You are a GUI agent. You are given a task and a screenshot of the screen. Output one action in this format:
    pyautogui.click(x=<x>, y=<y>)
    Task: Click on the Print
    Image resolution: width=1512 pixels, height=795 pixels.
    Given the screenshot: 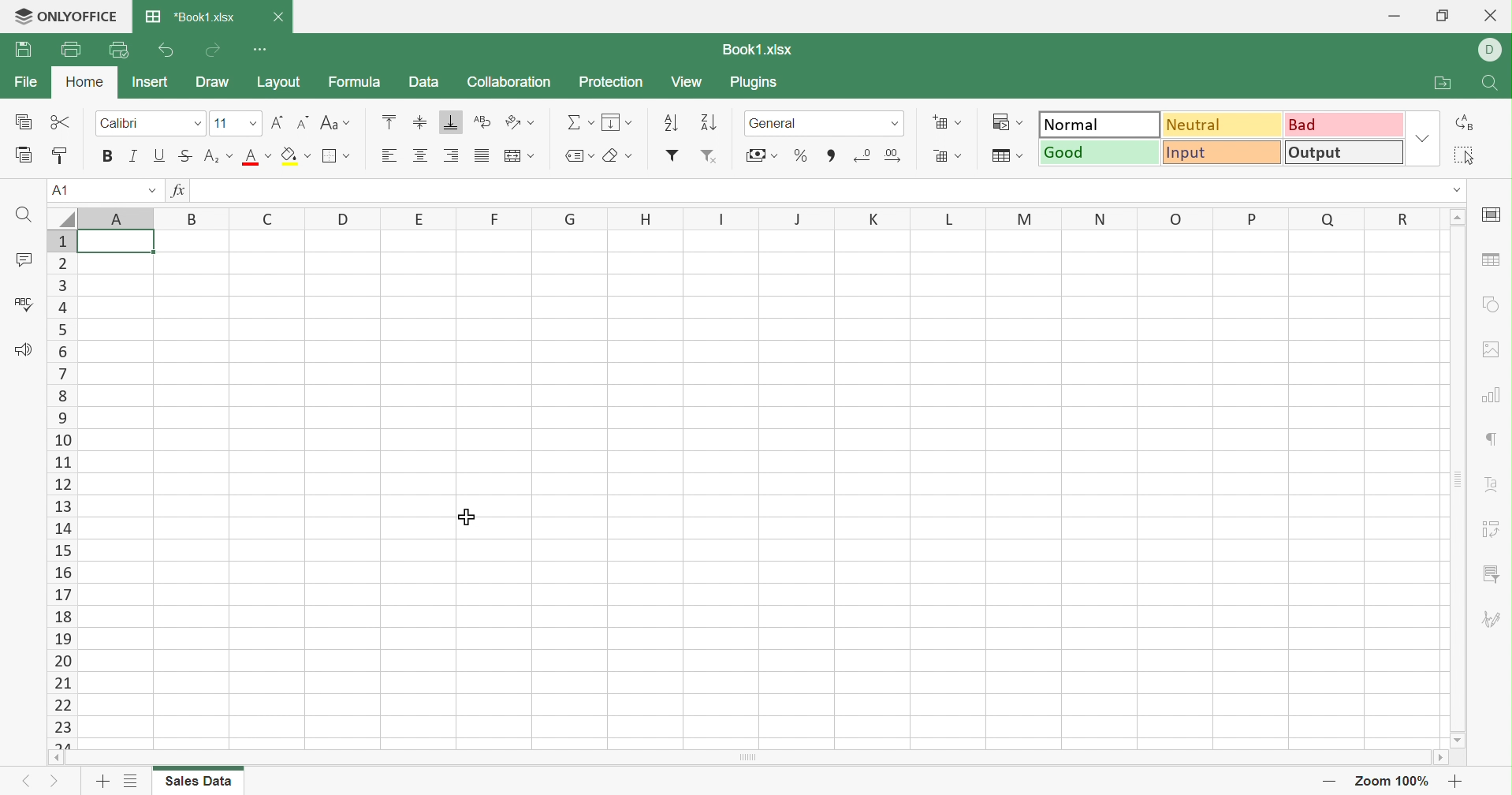 What is the action you would take?
    pyautogui.click(x=71, y=48)
    